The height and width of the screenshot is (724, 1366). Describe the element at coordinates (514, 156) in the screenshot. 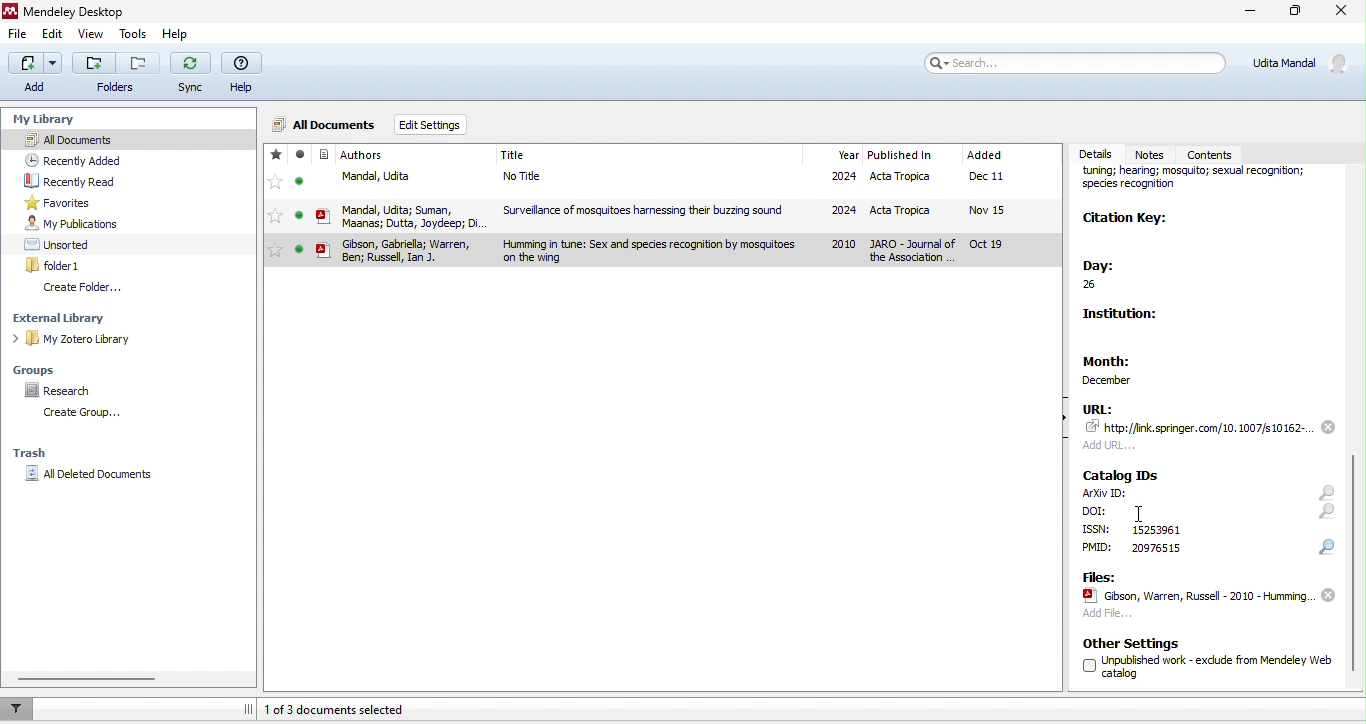

I see `journal title` at that location.